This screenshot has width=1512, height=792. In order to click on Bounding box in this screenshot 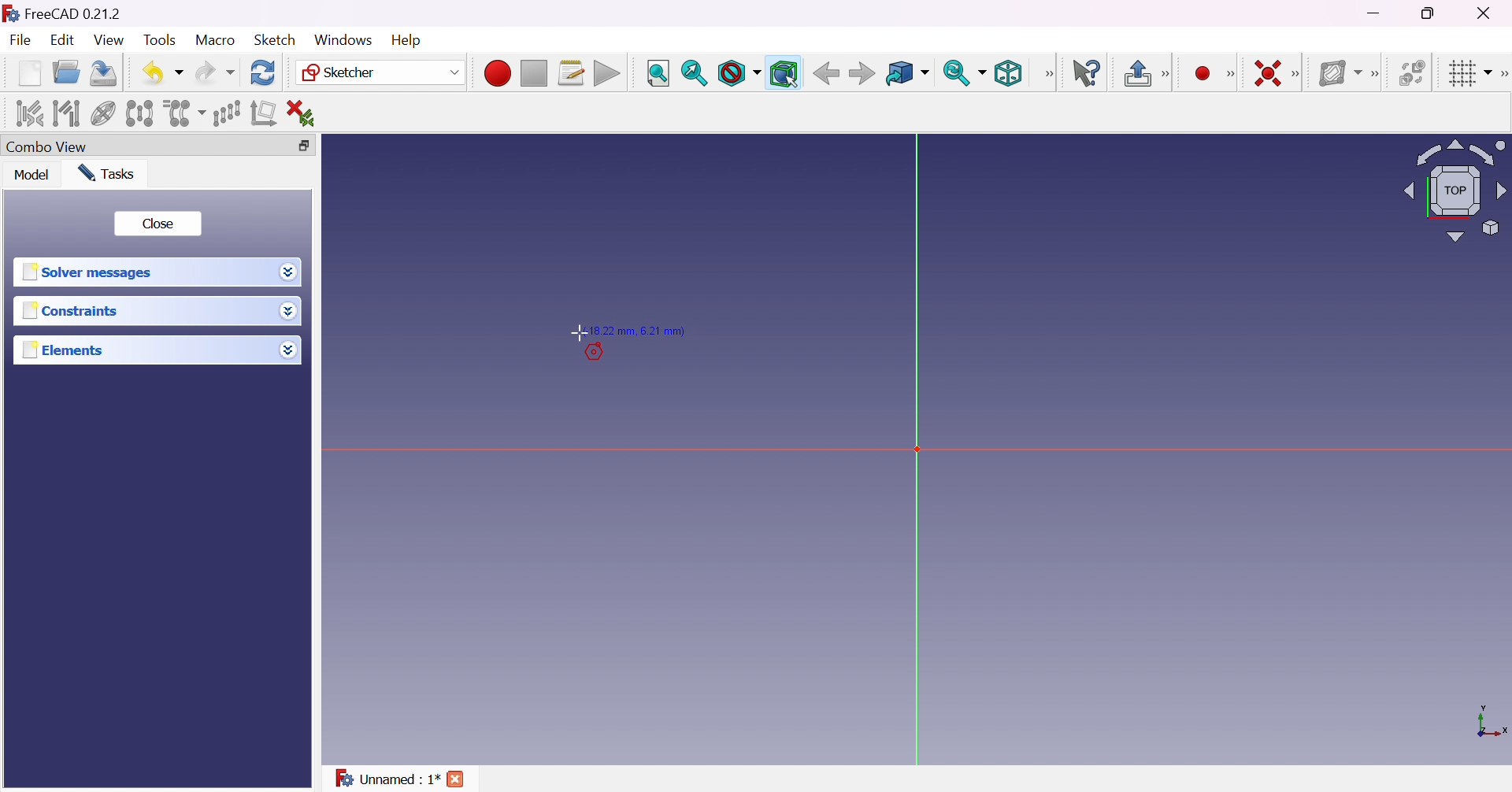, I will do `click(784, 74)`.